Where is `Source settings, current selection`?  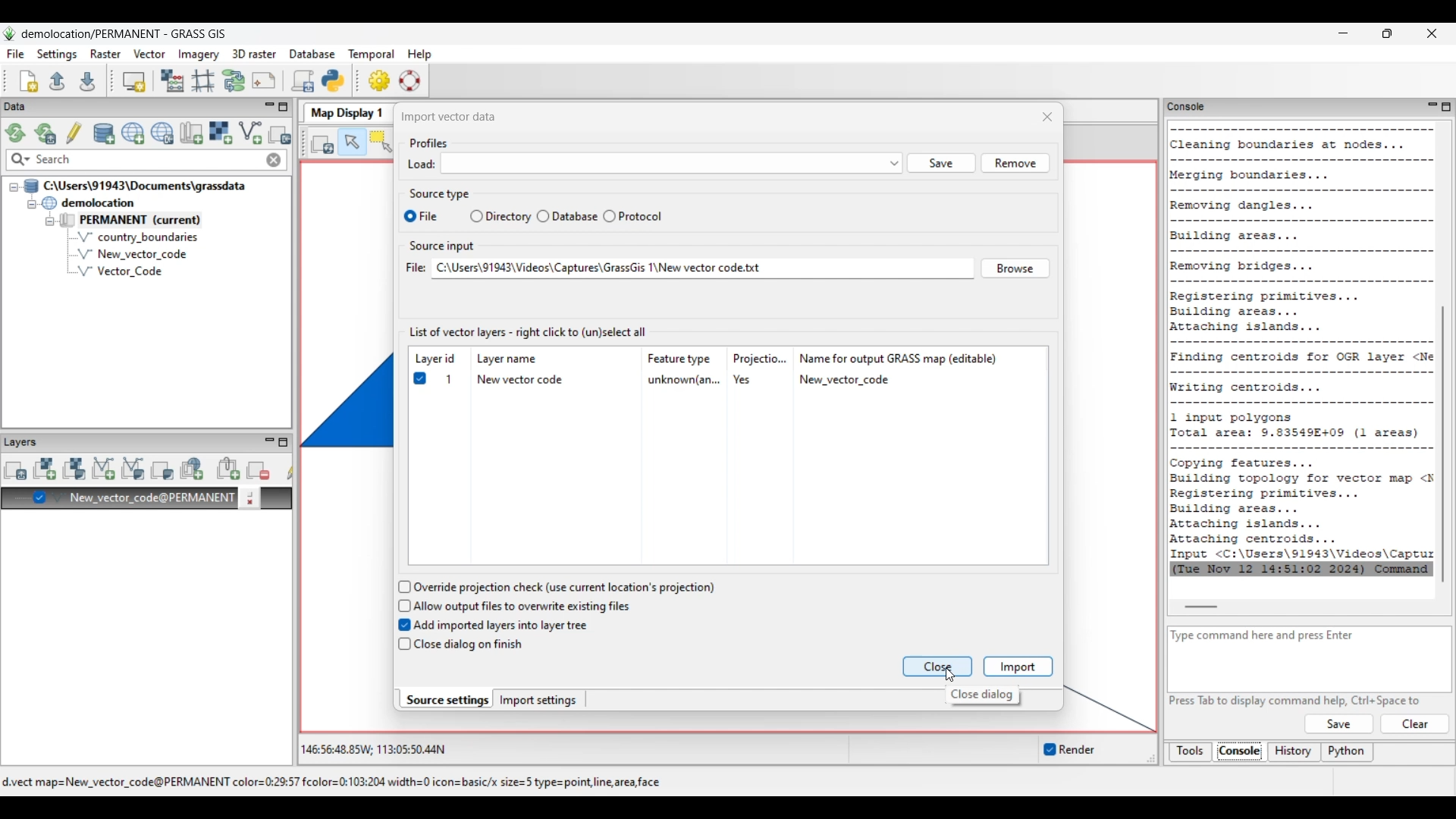
Source settings, current selection is located at coordinates (446, 699).